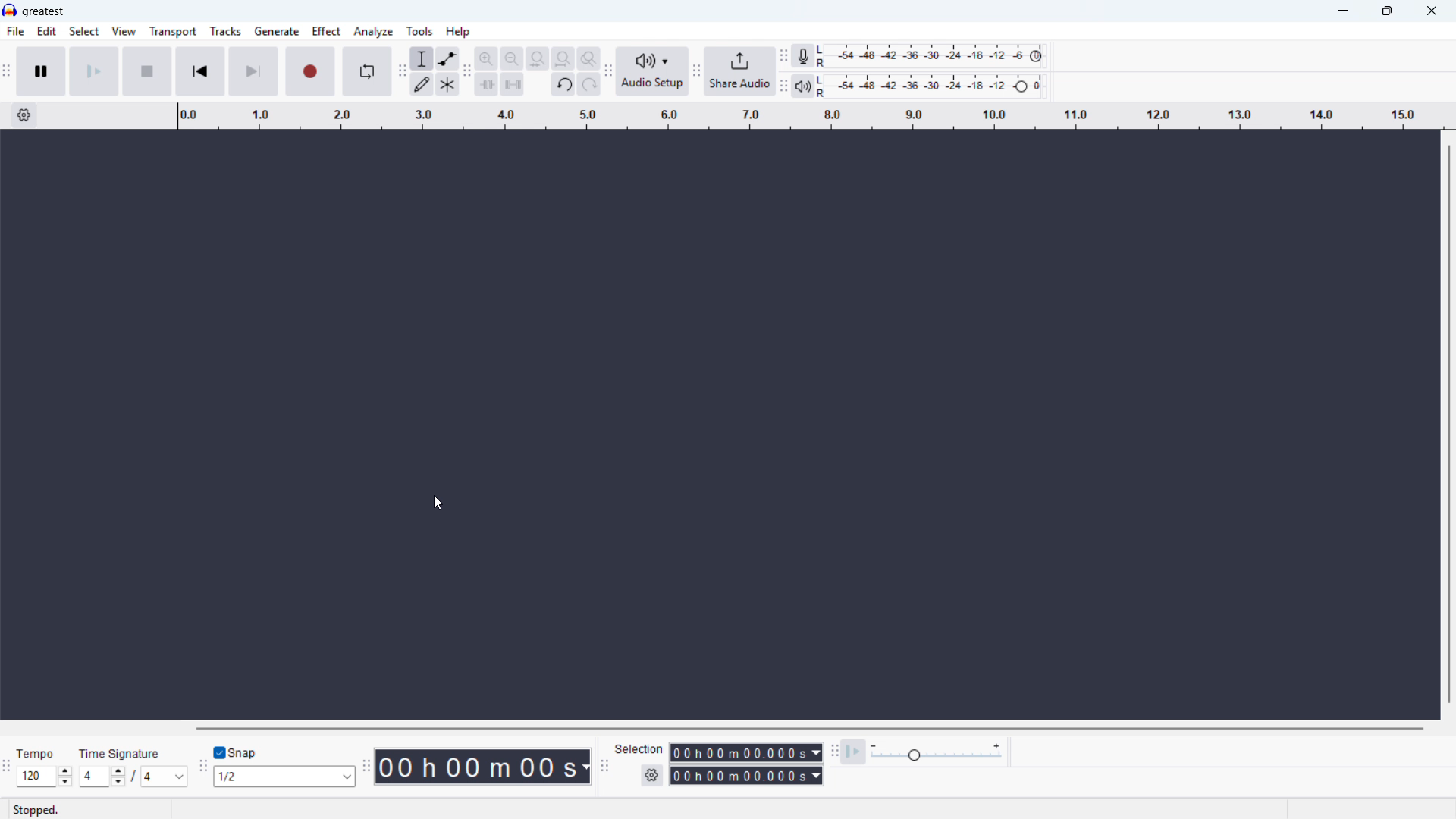 The width and height of the screenshot is (1456, 819). Describe the element at coordinates (284, 776) in the screenshot. I see `Select snapping ` at that location.